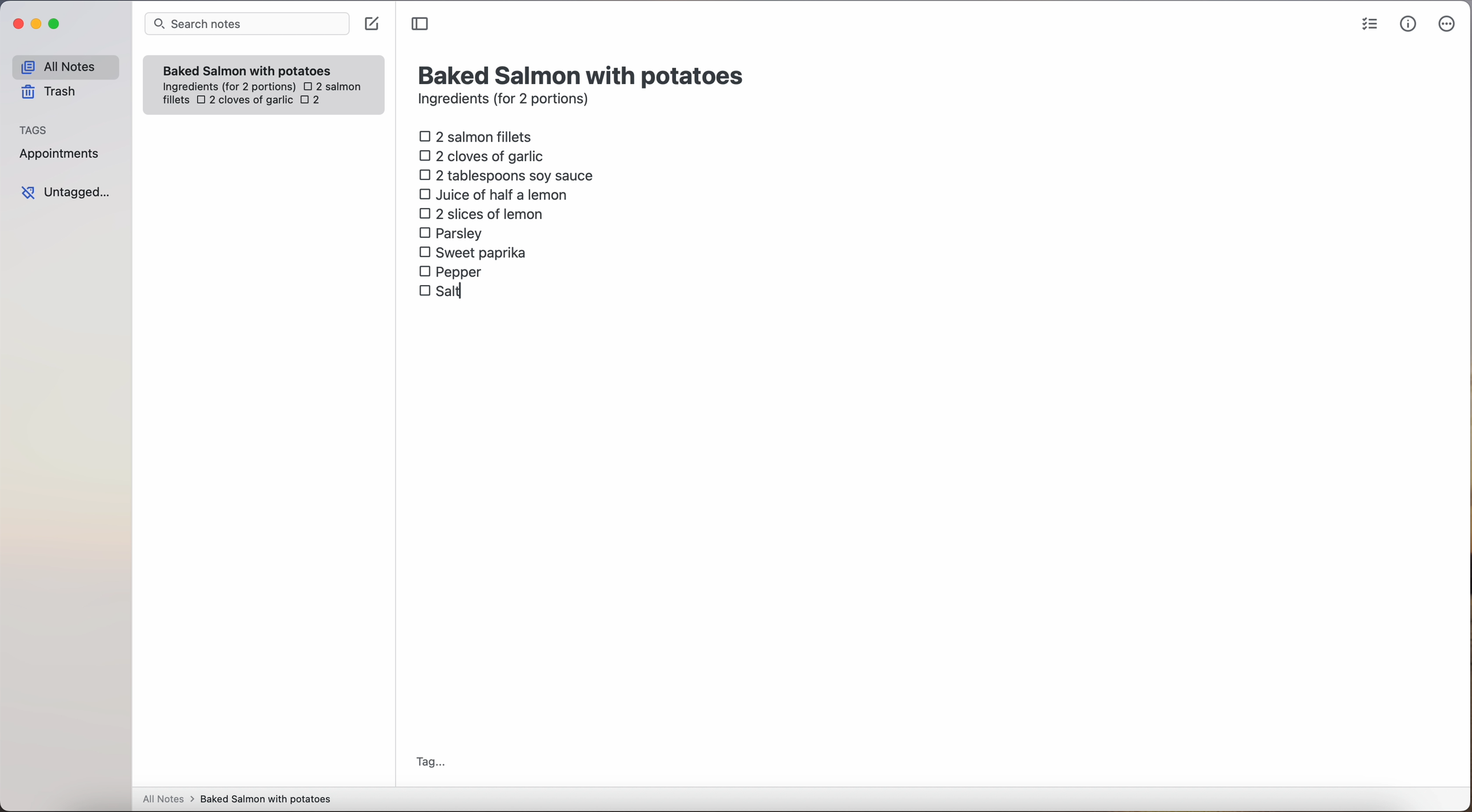 This screenshot has height=812, width=1472. I want to click on tags, so click(34, 129).